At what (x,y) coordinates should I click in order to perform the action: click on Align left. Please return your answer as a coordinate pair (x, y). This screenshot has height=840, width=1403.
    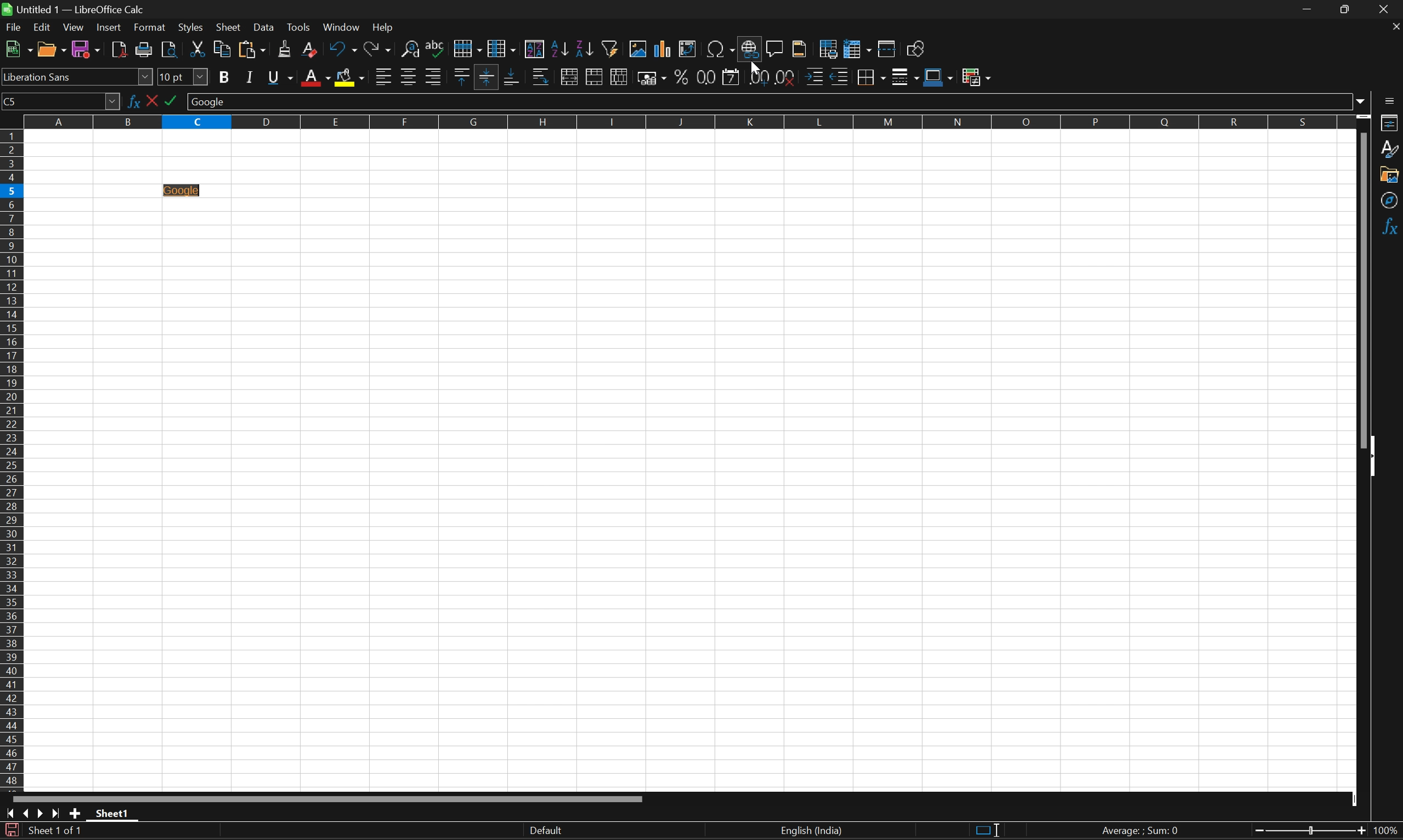
    Looking at the image, I should click on (383, 78).